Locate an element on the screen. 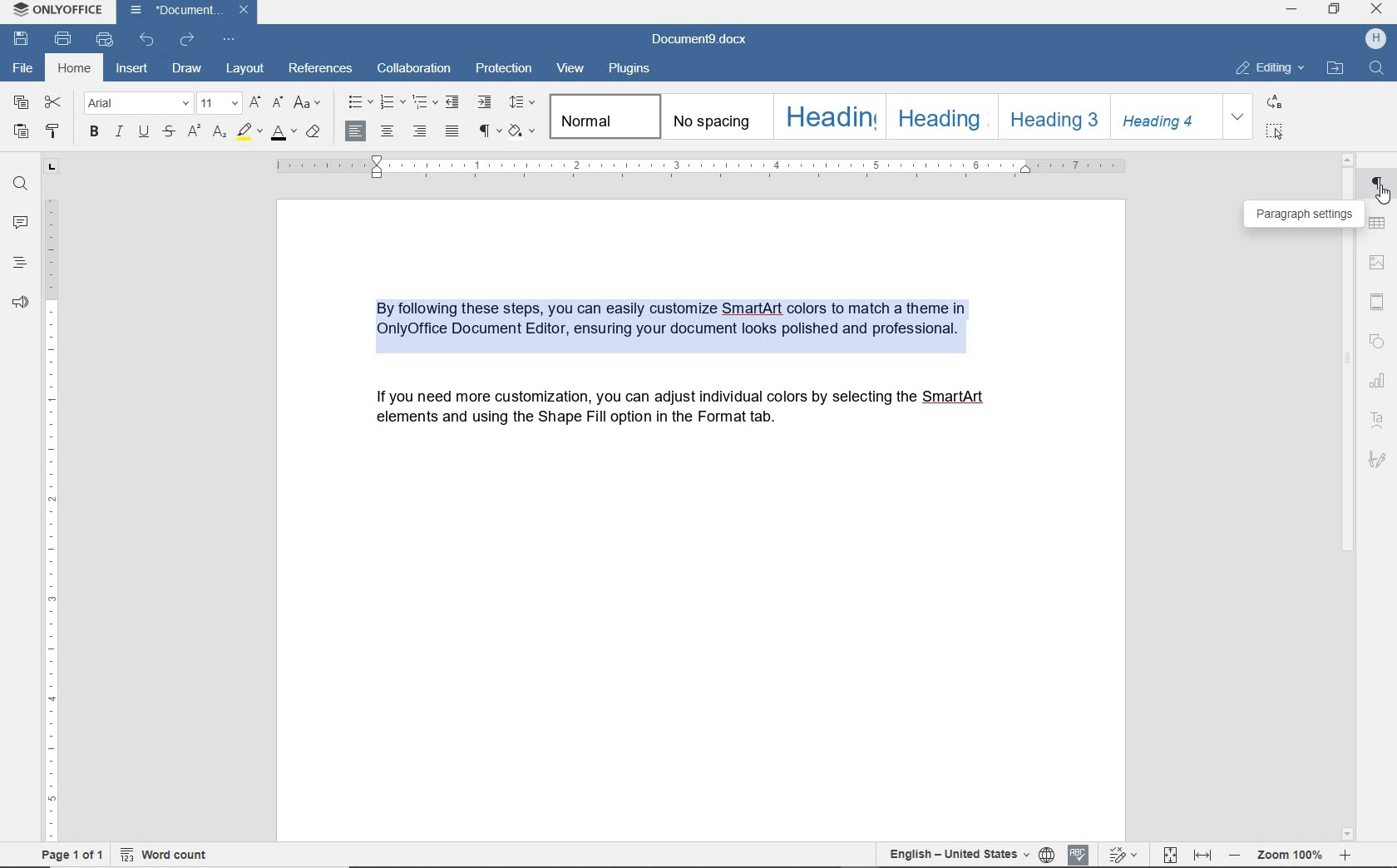 This screenshot has width=1397, height=868. references is located at coordinates (322, 70).